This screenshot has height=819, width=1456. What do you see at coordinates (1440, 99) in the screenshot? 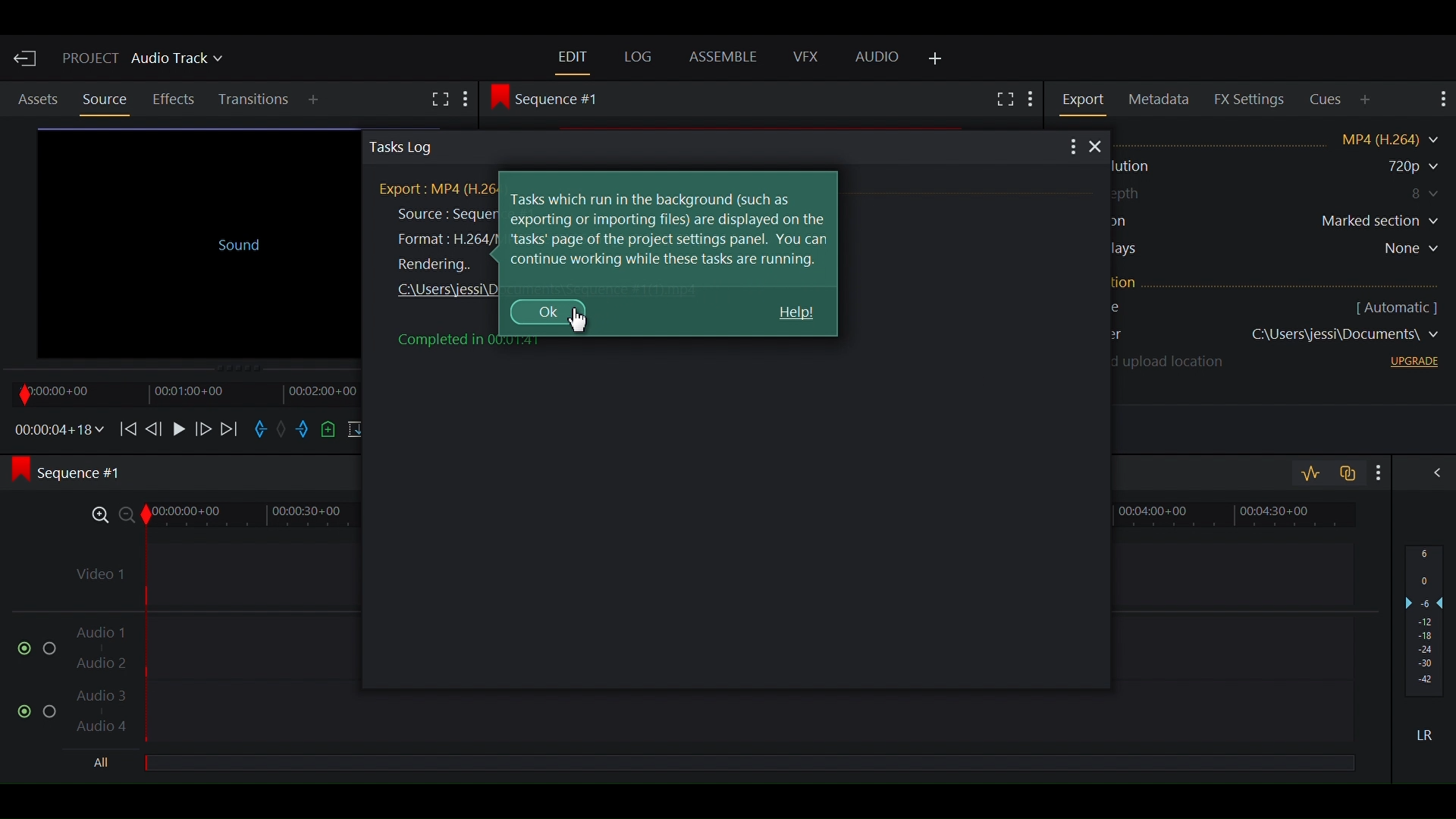
I see `Show settings menu` at bounding box center [1440, 99].